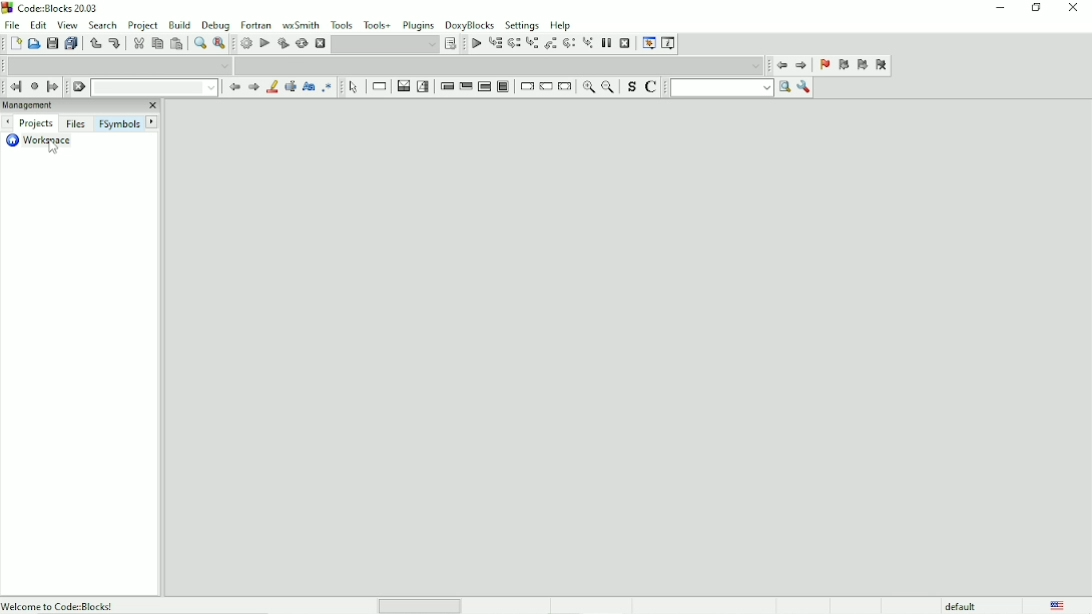 Image resolution: width=1092 pixels, height=614 pixels. What do you see at coordinates (216, 24) in the screenshot?
I see `Debug` at bounding box center [216, 24].